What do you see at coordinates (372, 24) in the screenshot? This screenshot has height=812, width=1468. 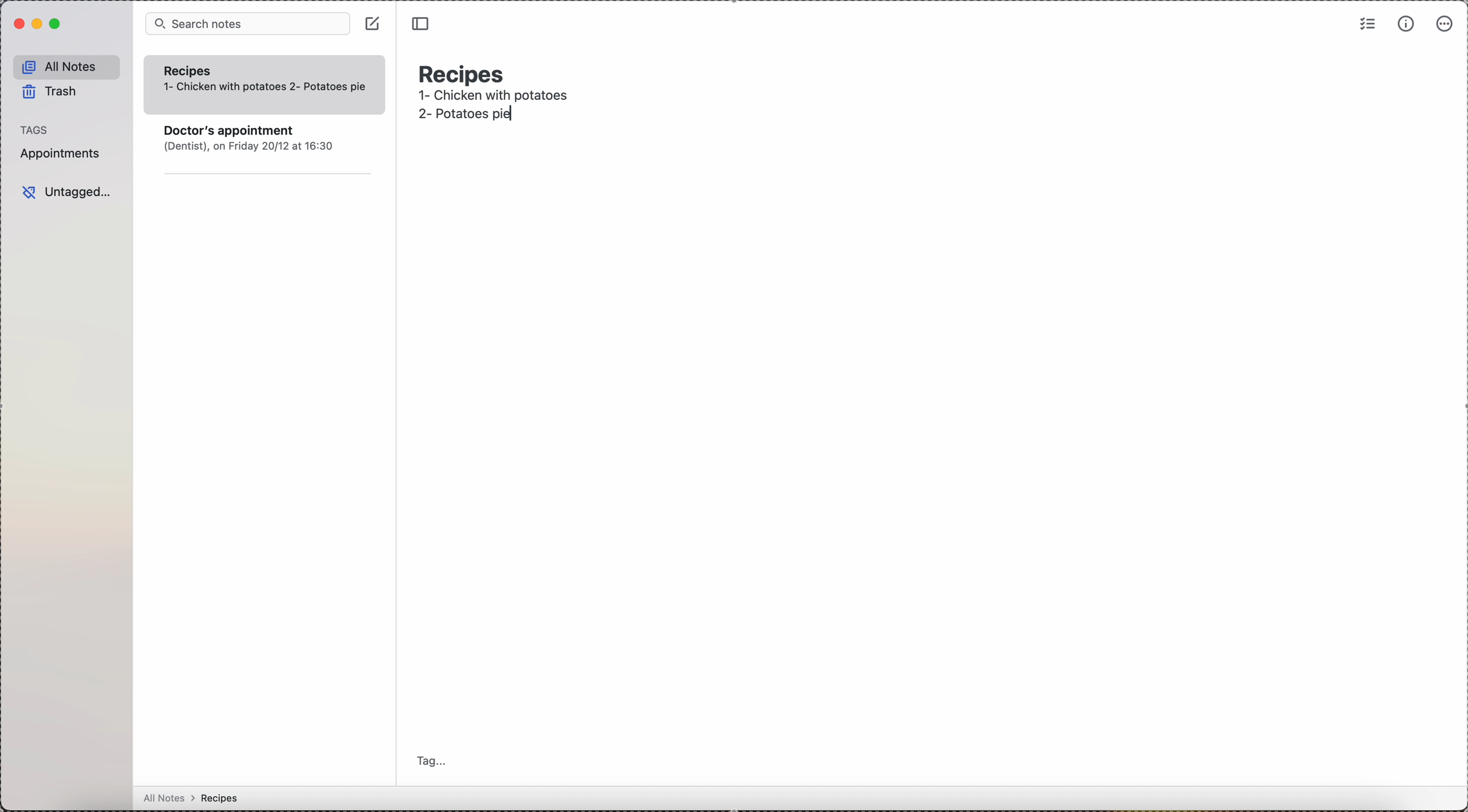 I see `click on create note` at bounding box center [372, 24].